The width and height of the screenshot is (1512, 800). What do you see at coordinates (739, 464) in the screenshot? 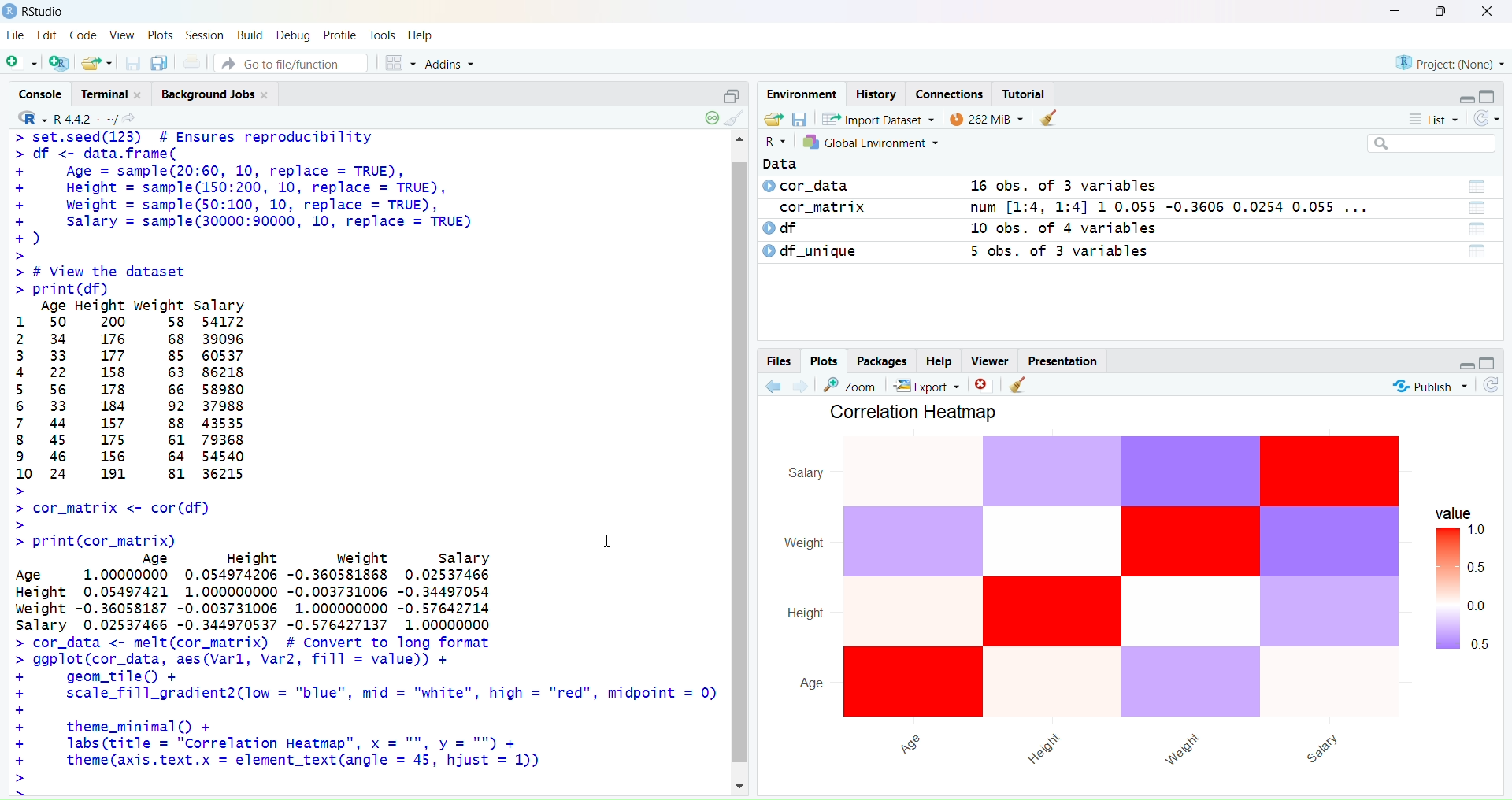
I see `Scrollbar` at bounding box center [739, 464].